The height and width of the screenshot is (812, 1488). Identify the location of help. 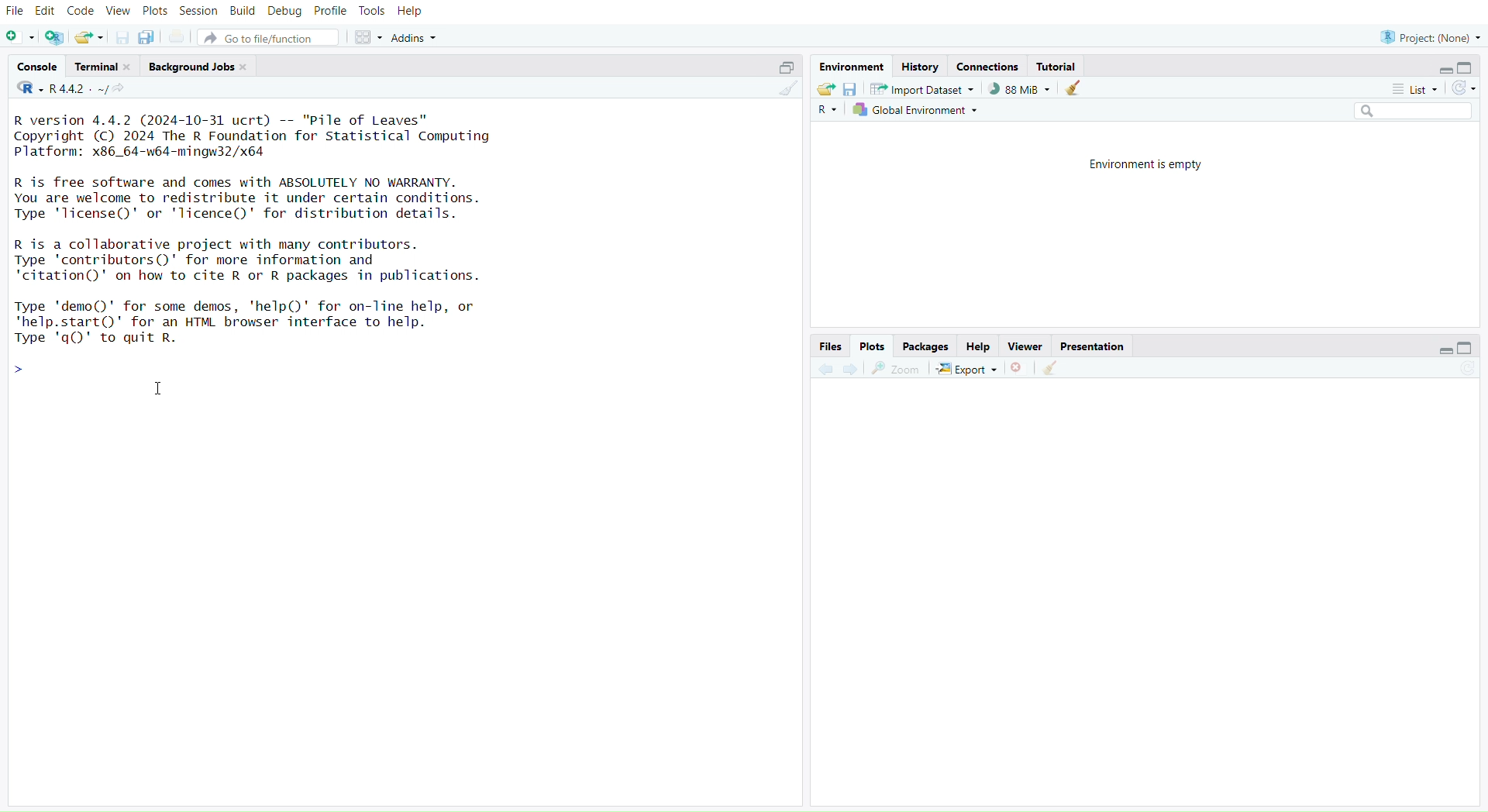
(411, 12).